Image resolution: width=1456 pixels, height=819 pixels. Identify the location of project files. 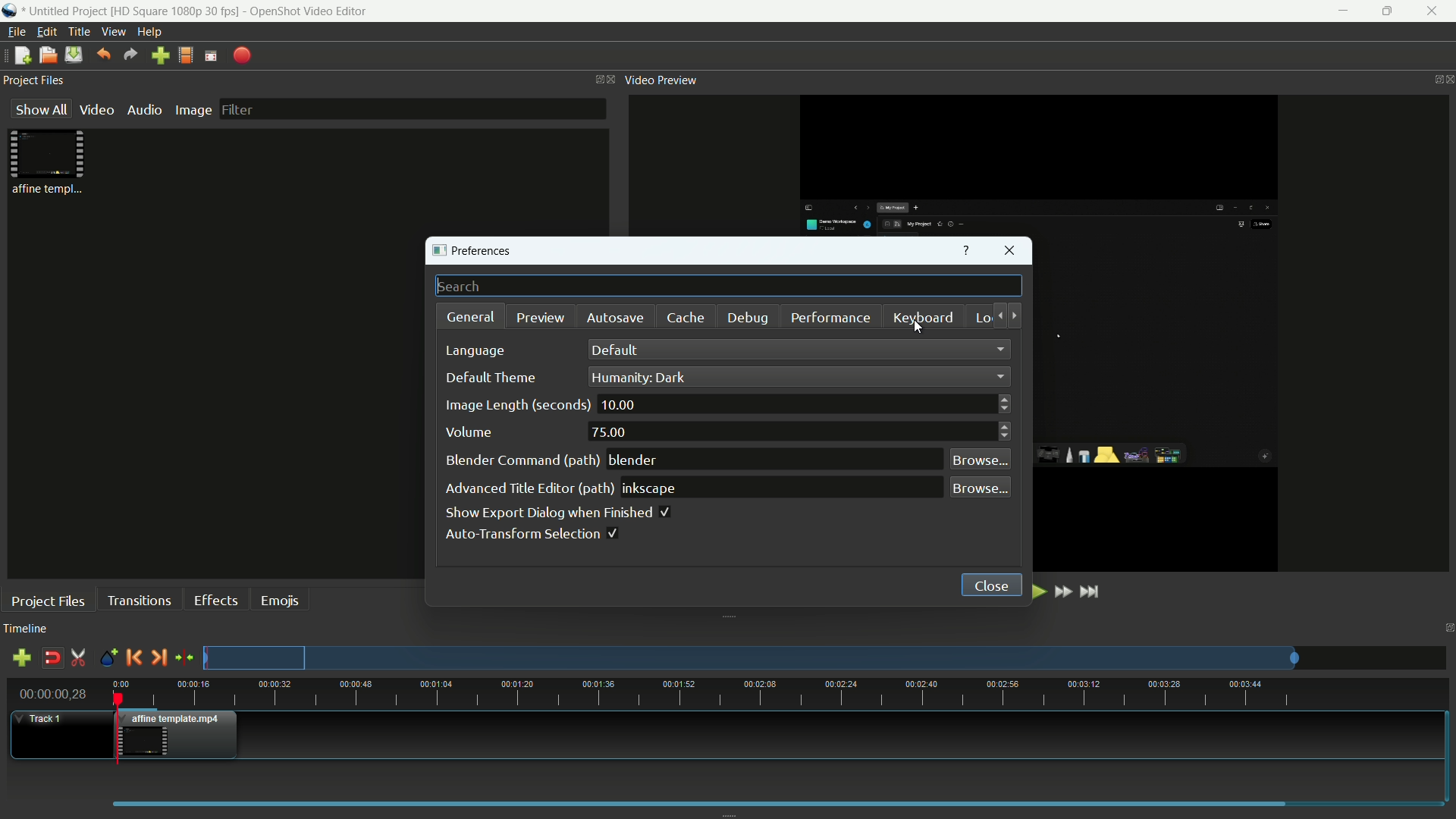
(49, 601).